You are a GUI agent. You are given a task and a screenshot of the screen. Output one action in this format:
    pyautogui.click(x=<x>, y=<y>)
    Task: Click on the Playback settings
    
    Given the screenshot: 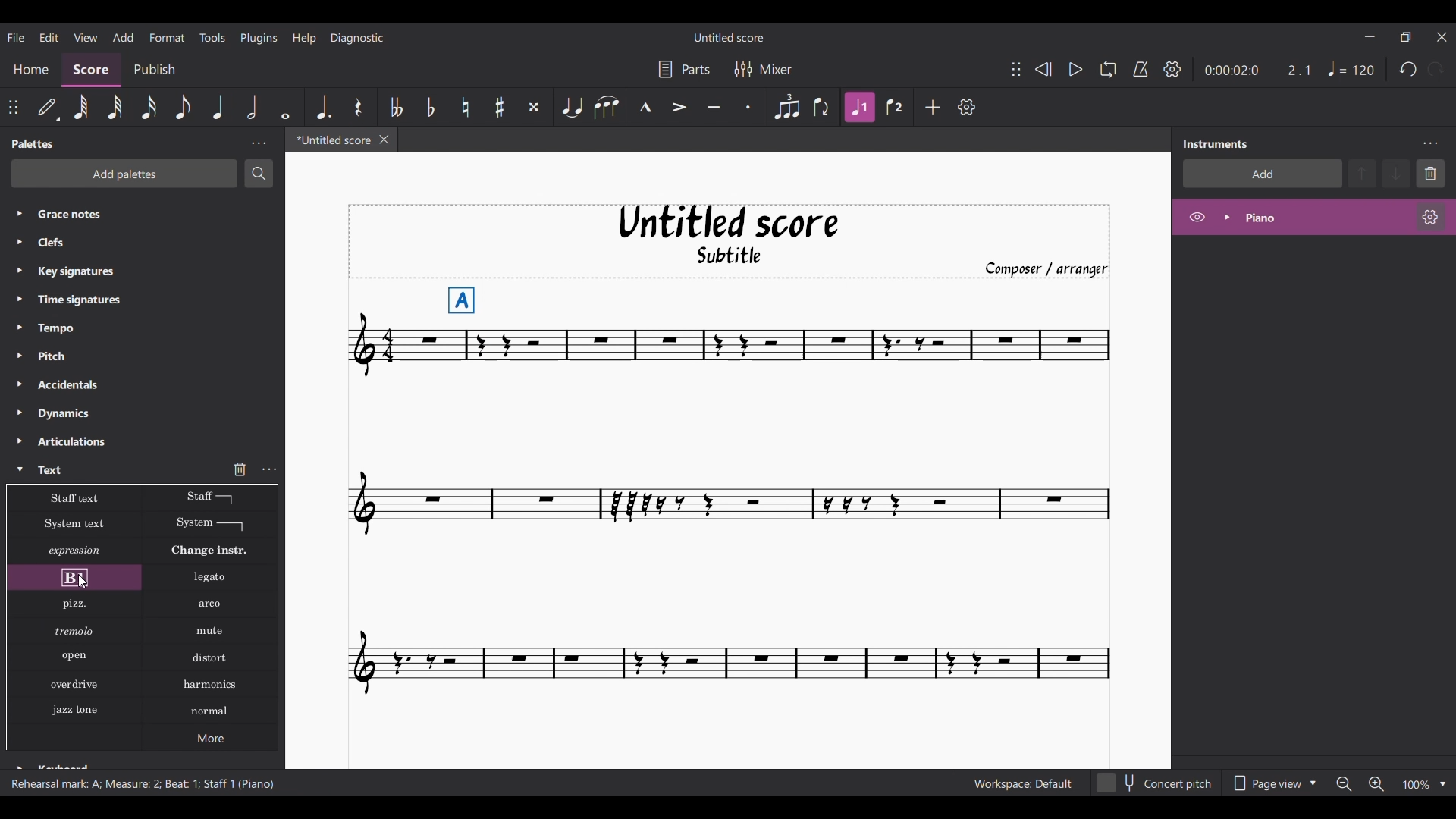 What is the action you would take?
    pyautogui.click(x=1172, y=68)
    